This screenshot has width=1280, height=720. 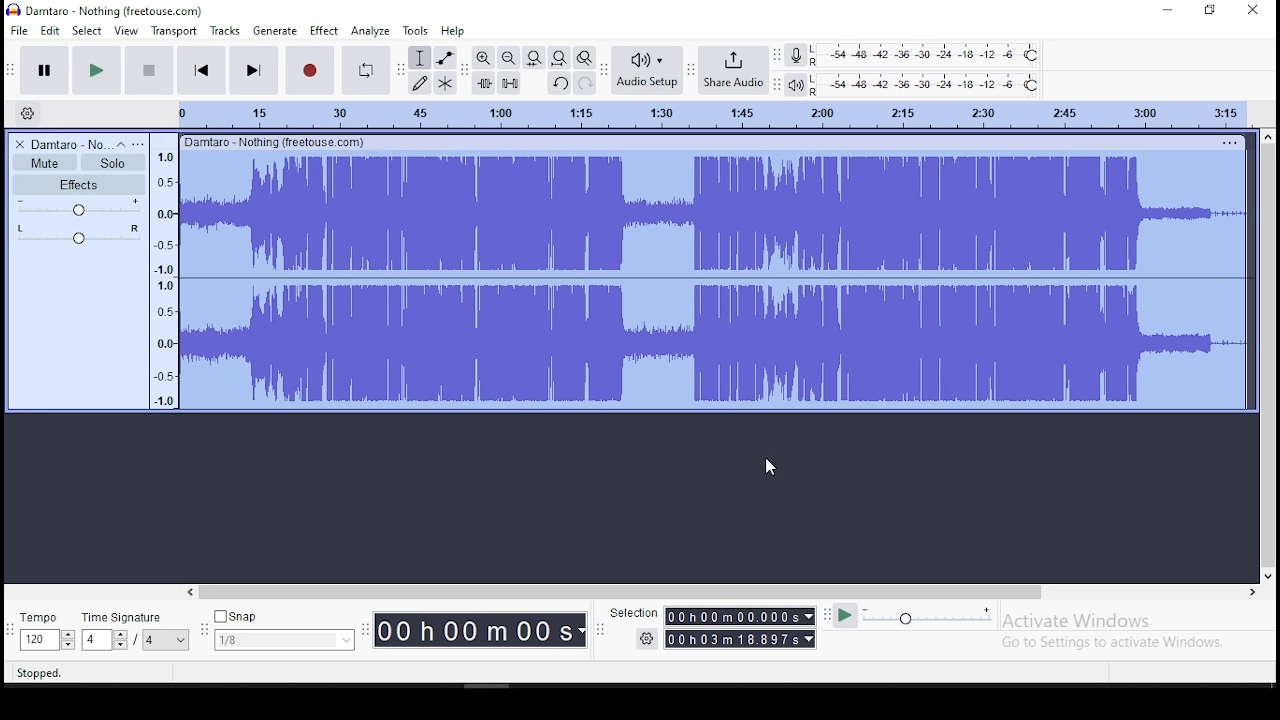 I want to click on selection tool, so click(x=419, y=58).